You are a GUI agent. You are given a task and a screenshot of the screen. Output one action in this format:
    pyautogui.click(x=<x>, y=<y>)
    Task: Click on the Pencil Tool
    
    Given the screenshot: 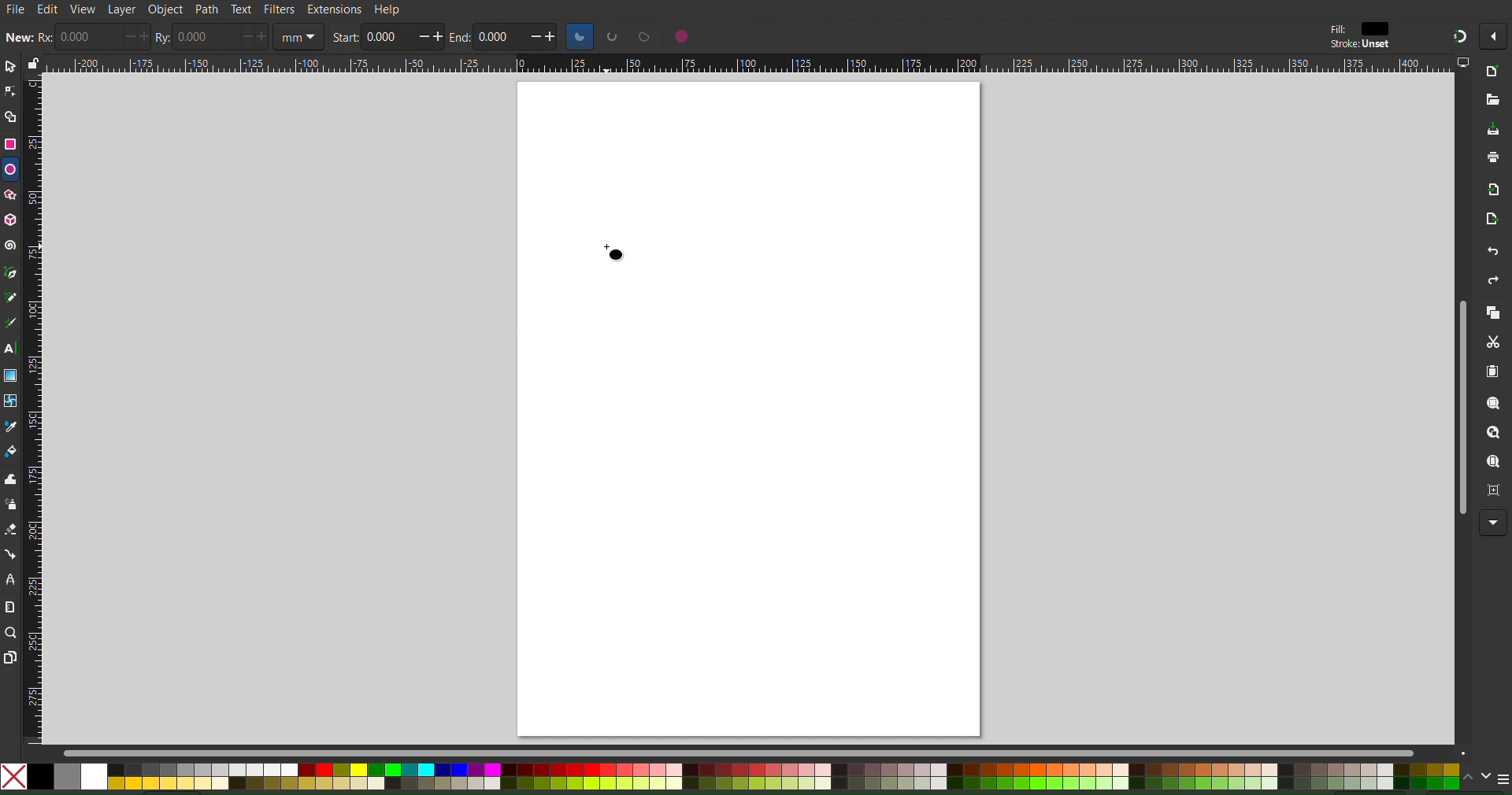 What is the action you would take?
    pyautogui.click(x=10, y=298)
    